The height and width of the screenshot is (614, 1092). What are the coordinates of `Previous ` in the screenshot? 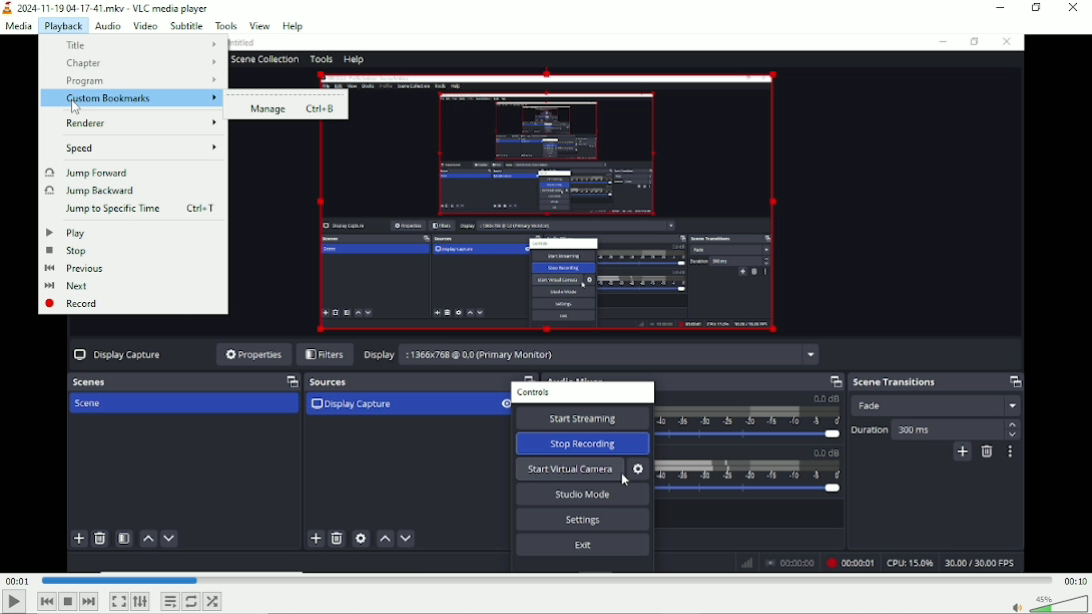 It's located at (73, 268).